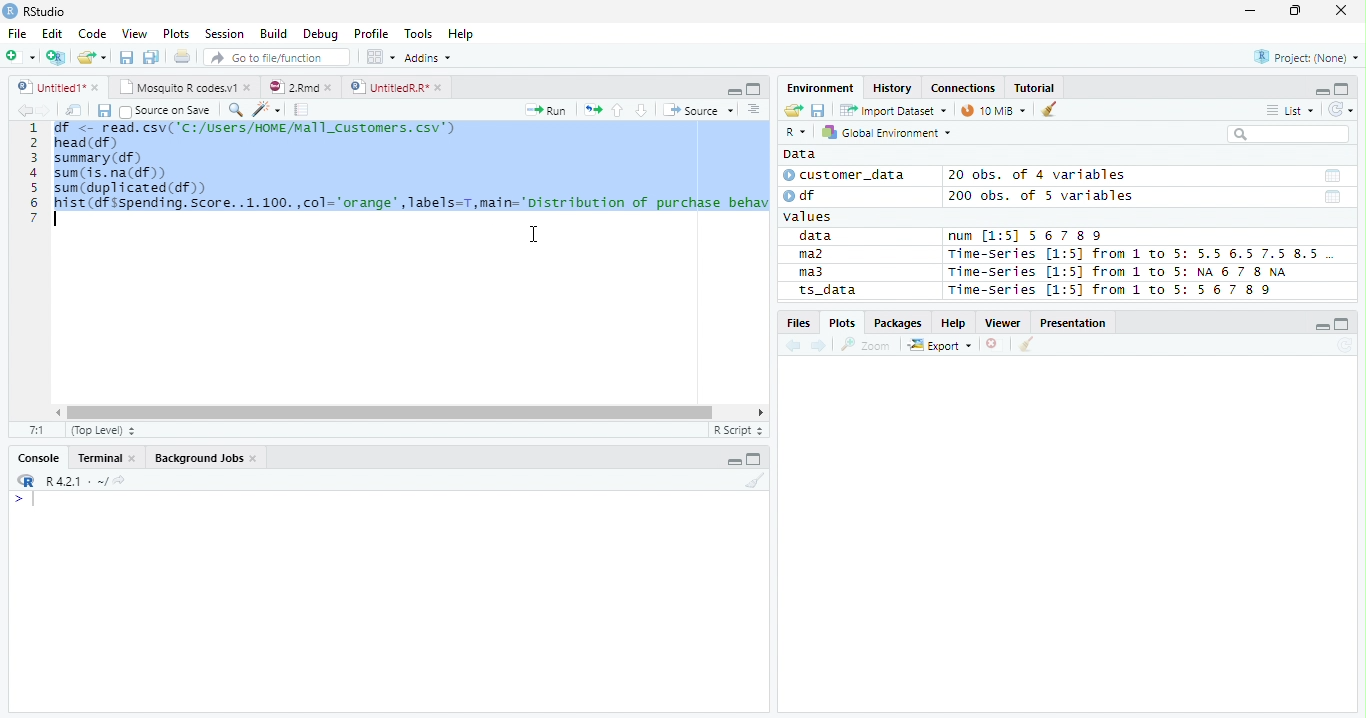  I want to click on Restore Down, so click(1298, 11).